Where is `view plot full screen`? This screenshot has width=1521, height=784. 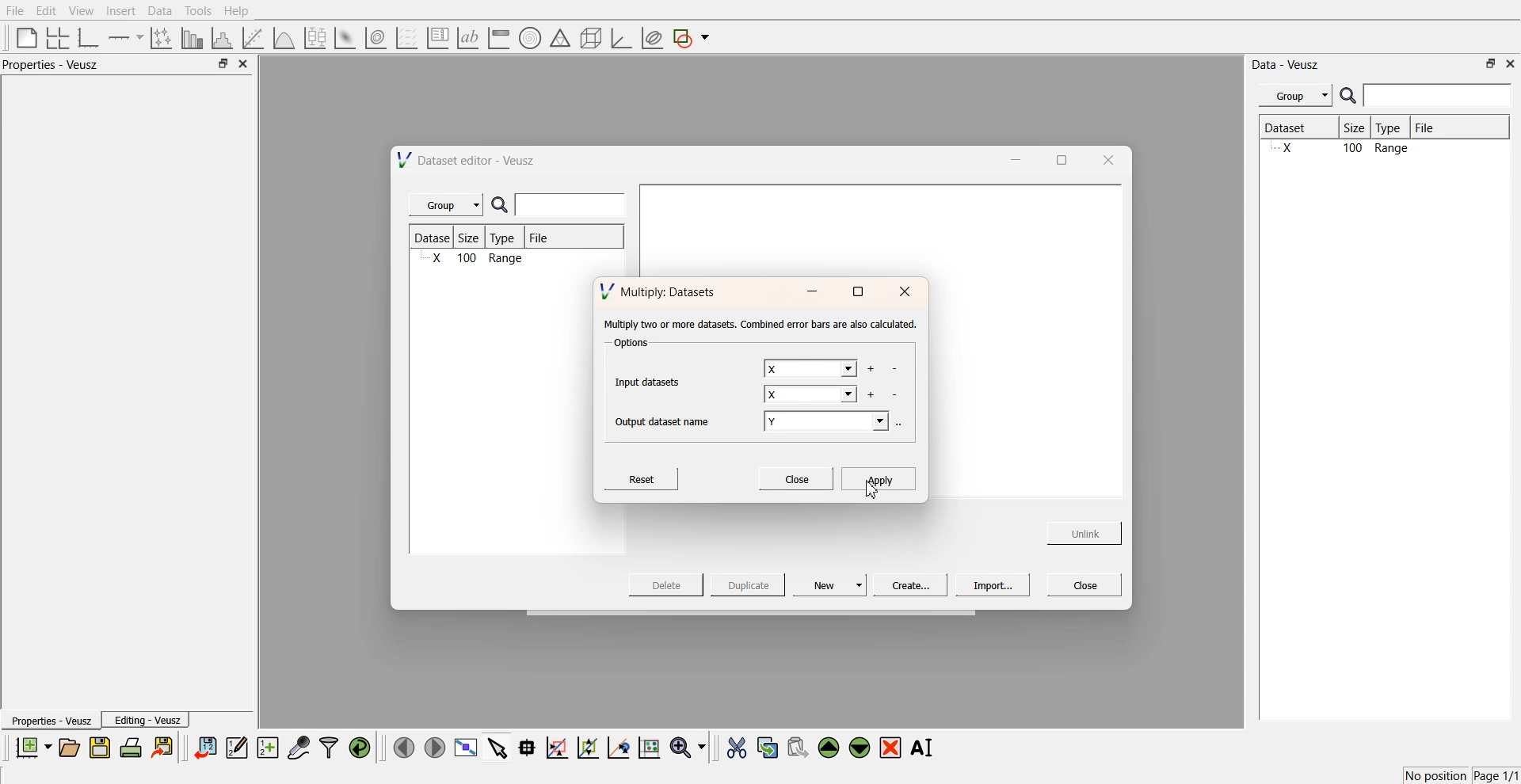
view plot full screen is located at coordinates (465, 748).